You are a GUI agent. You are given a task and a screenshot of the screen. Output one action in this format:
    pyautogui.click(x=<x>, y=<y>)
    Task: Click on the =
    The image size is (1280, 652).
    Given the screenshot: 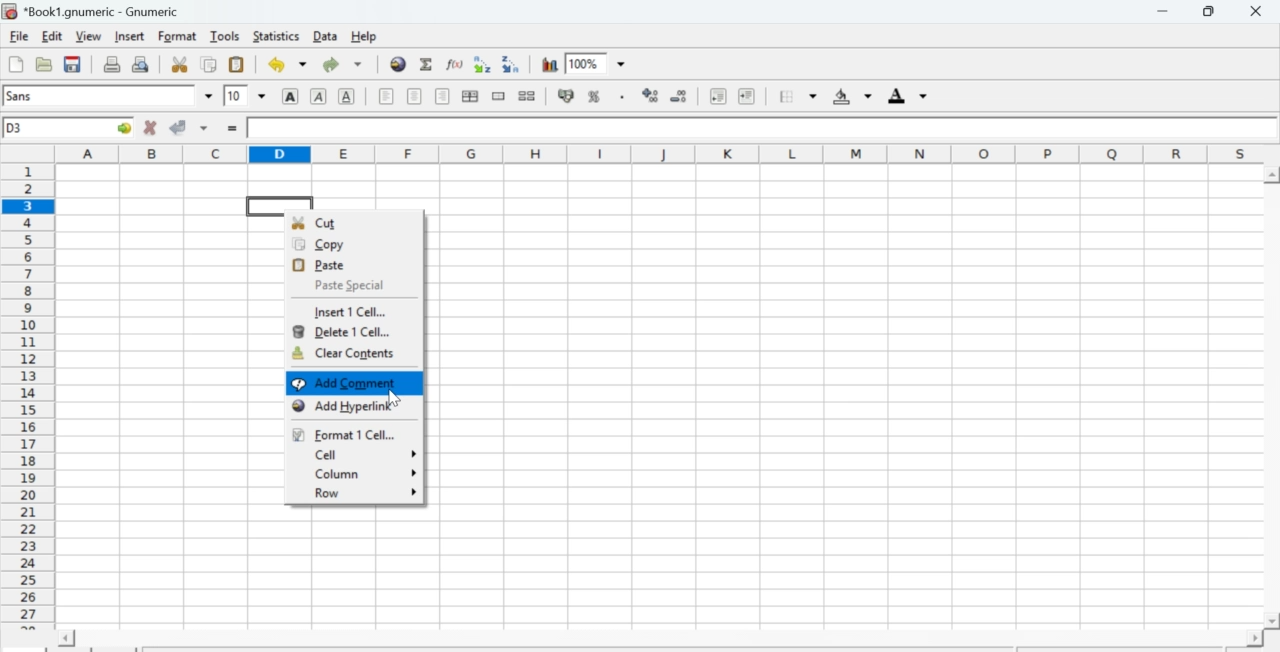 What is the action you would take?
    pyautogui.click(x=231, y=129)
    